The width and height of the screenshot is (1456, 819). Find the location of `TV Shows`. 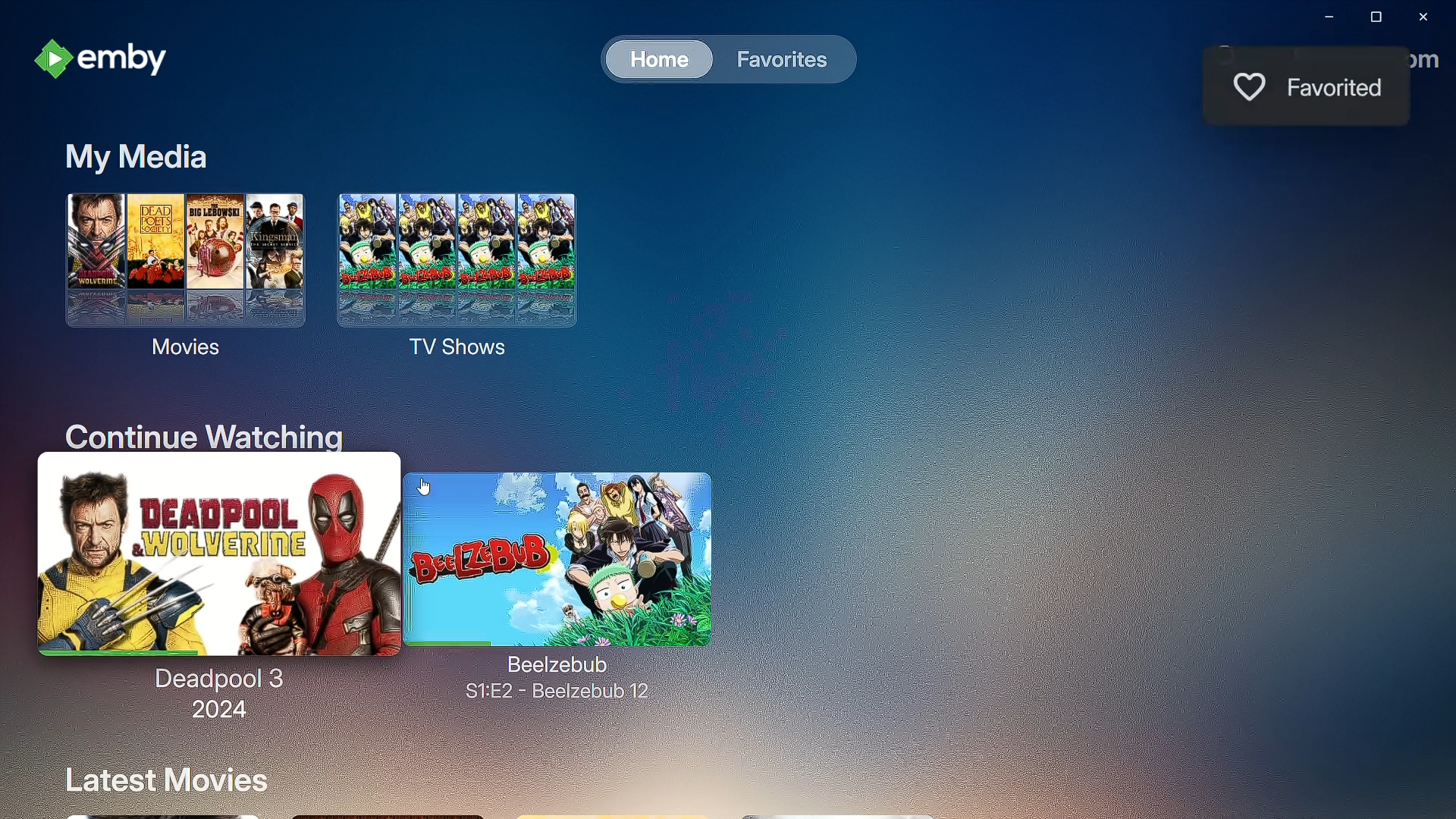

TV Shows is located at coordinates (457, 272).